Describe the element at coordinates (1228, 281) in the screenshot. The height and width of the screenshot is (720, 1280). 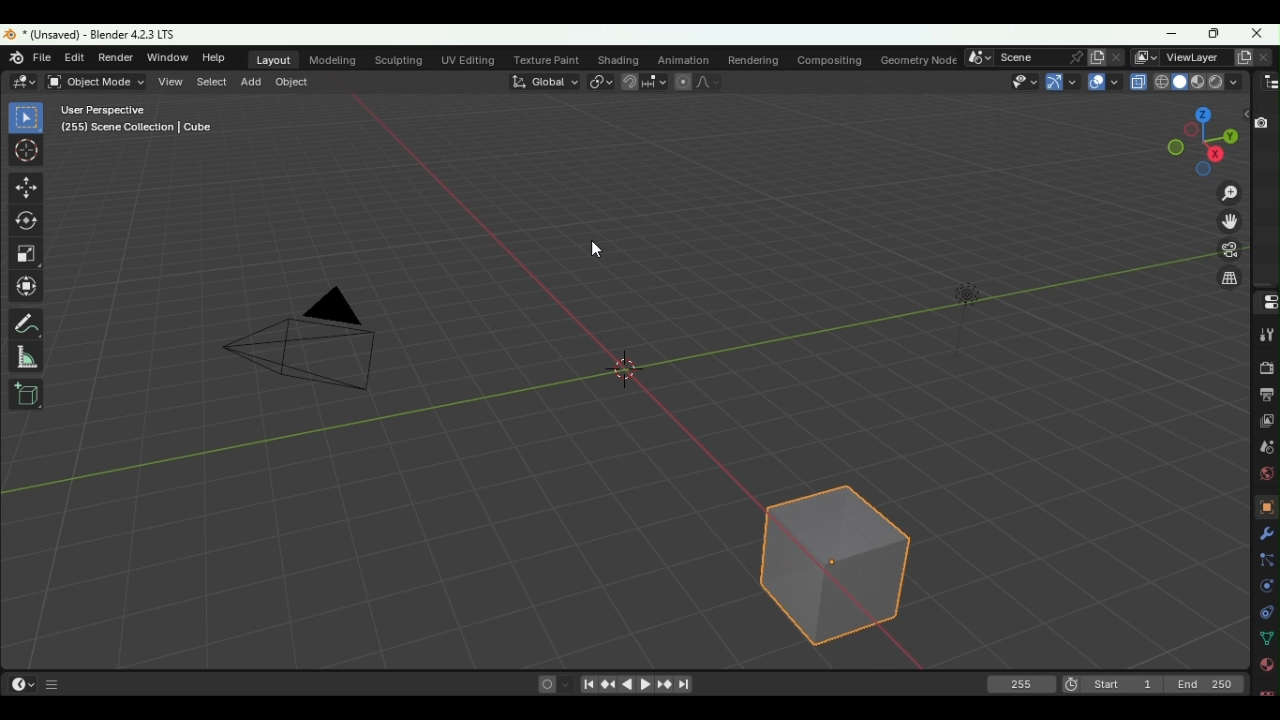
I see `Switch the current view from perspective/orthographic projection` at that location.